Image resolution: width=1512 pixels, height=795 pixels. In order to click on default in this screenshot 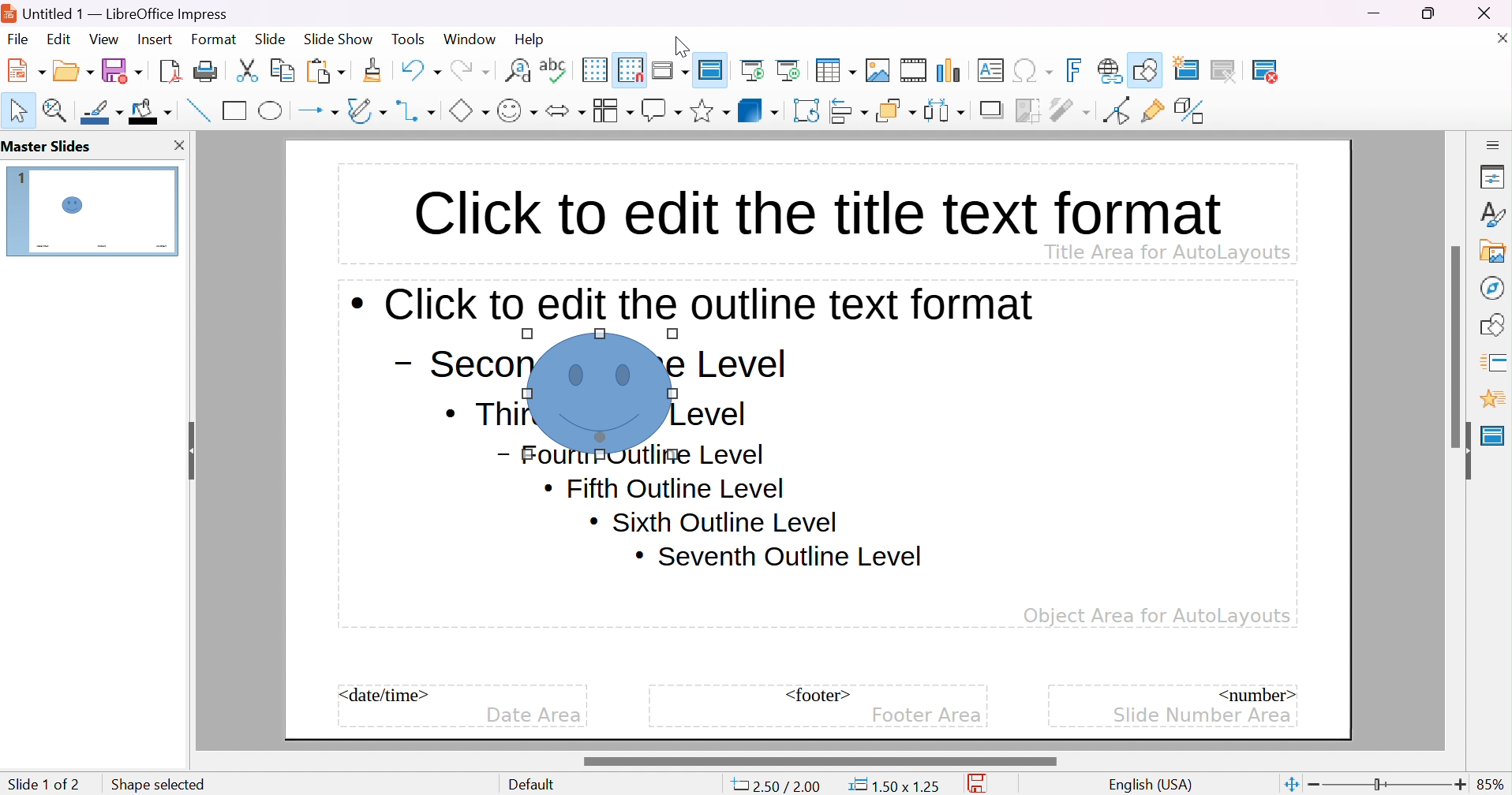, I will do `click(536, 785)`.